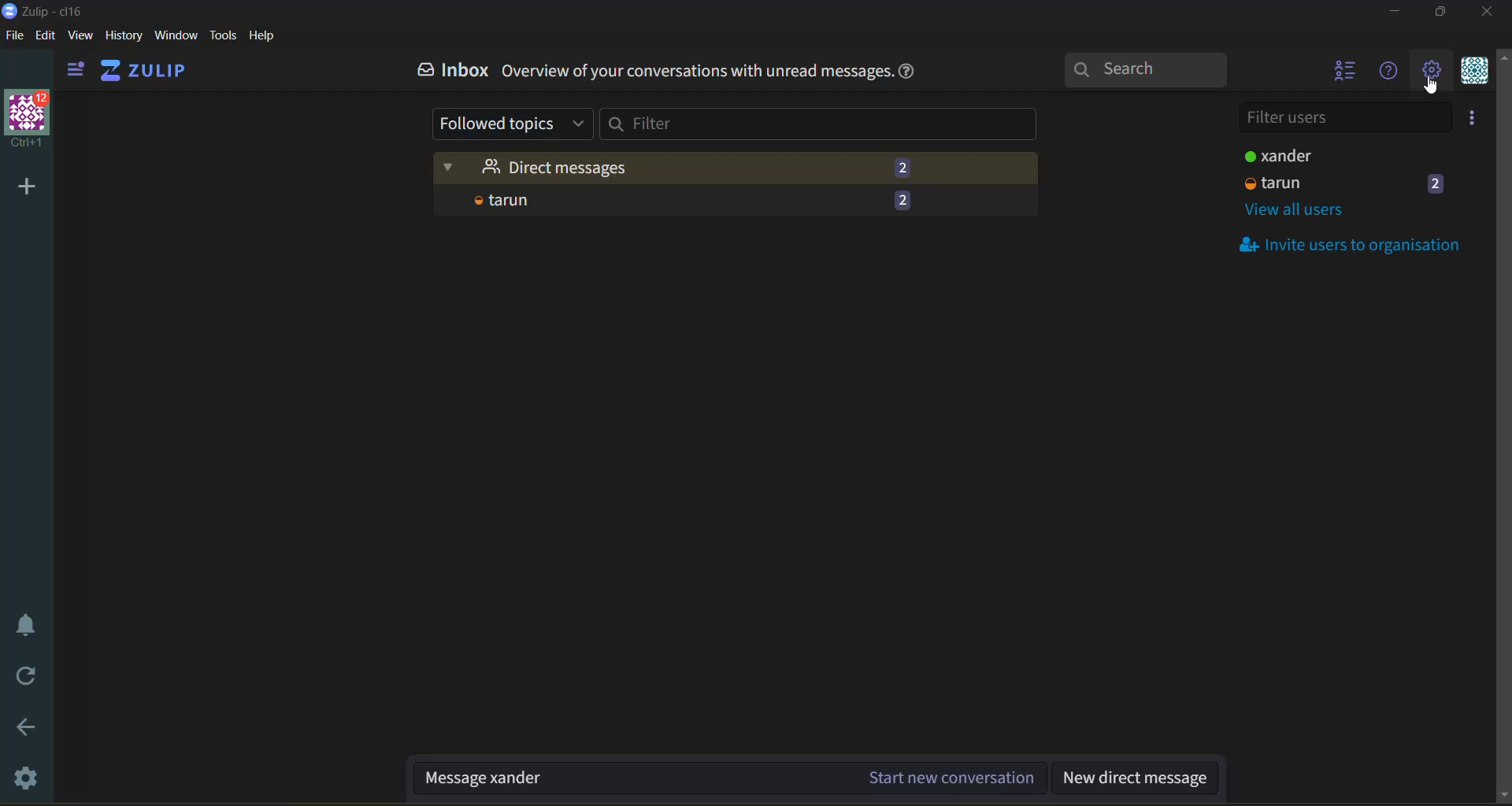  Describe the element at coordinates (1298, 213) in the screenshot. I see `view all users` at that location.